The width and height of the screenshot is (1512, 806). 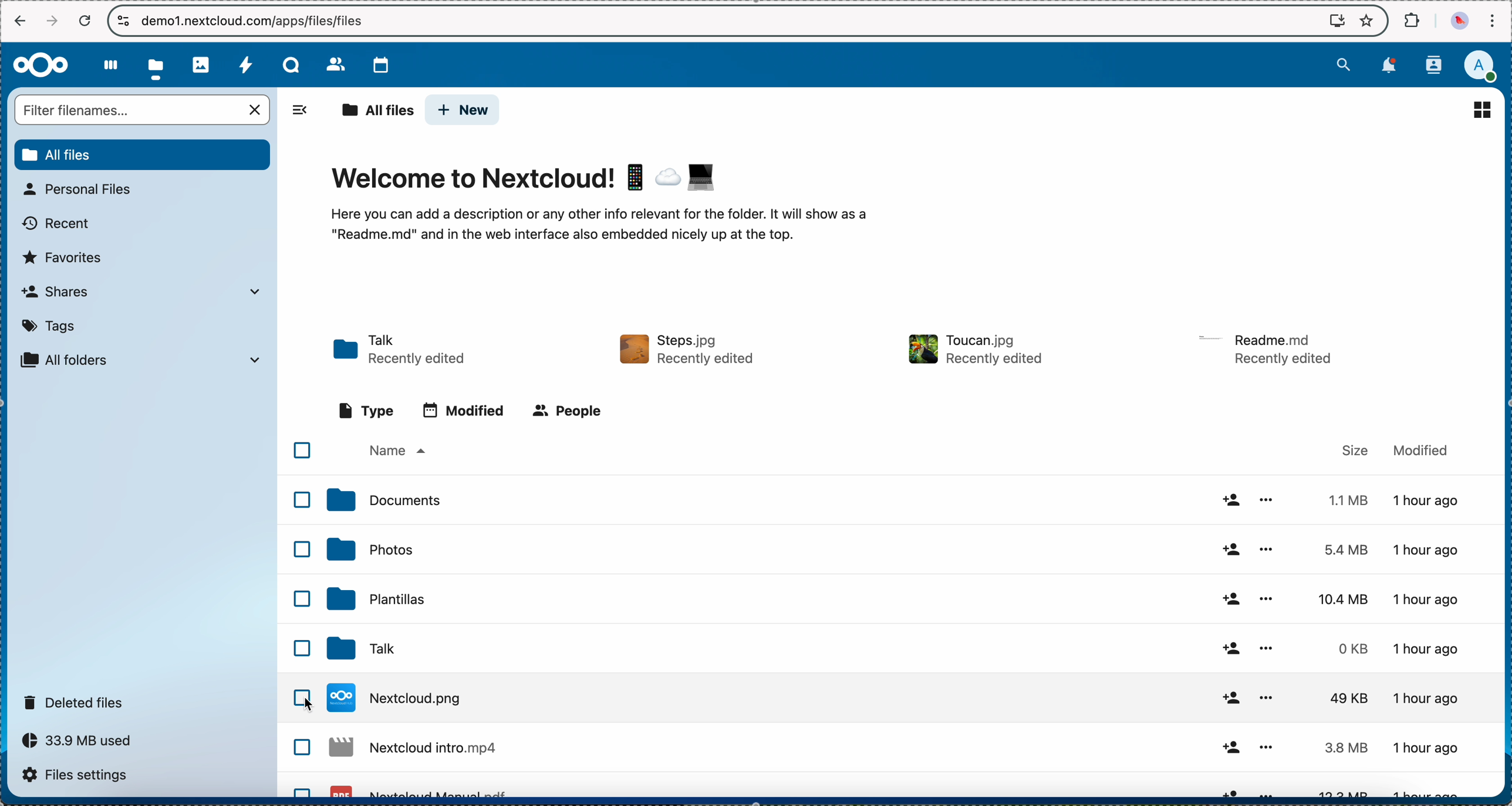 I want to click on Talk, so click(x=291, y=63).